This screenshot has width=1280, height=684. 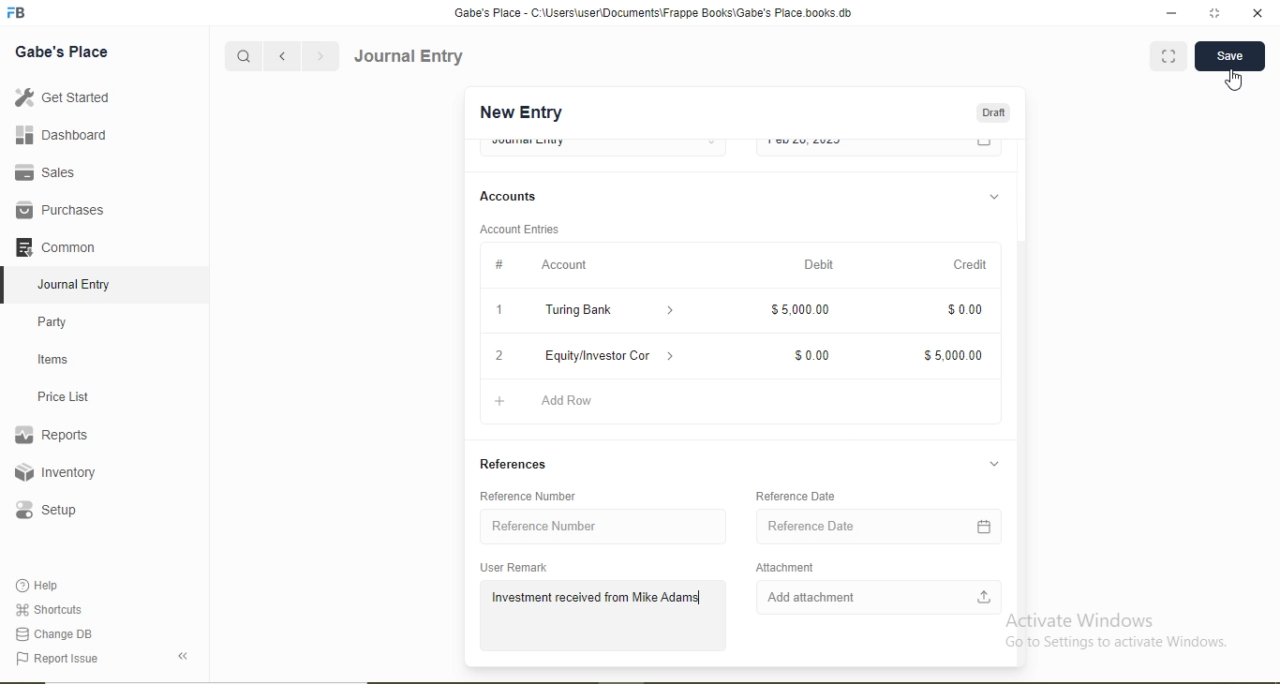 What do you see at coordinates (800, 308) in the screenshot?
I see `$5,000.00` at bounding box center [800, 308].